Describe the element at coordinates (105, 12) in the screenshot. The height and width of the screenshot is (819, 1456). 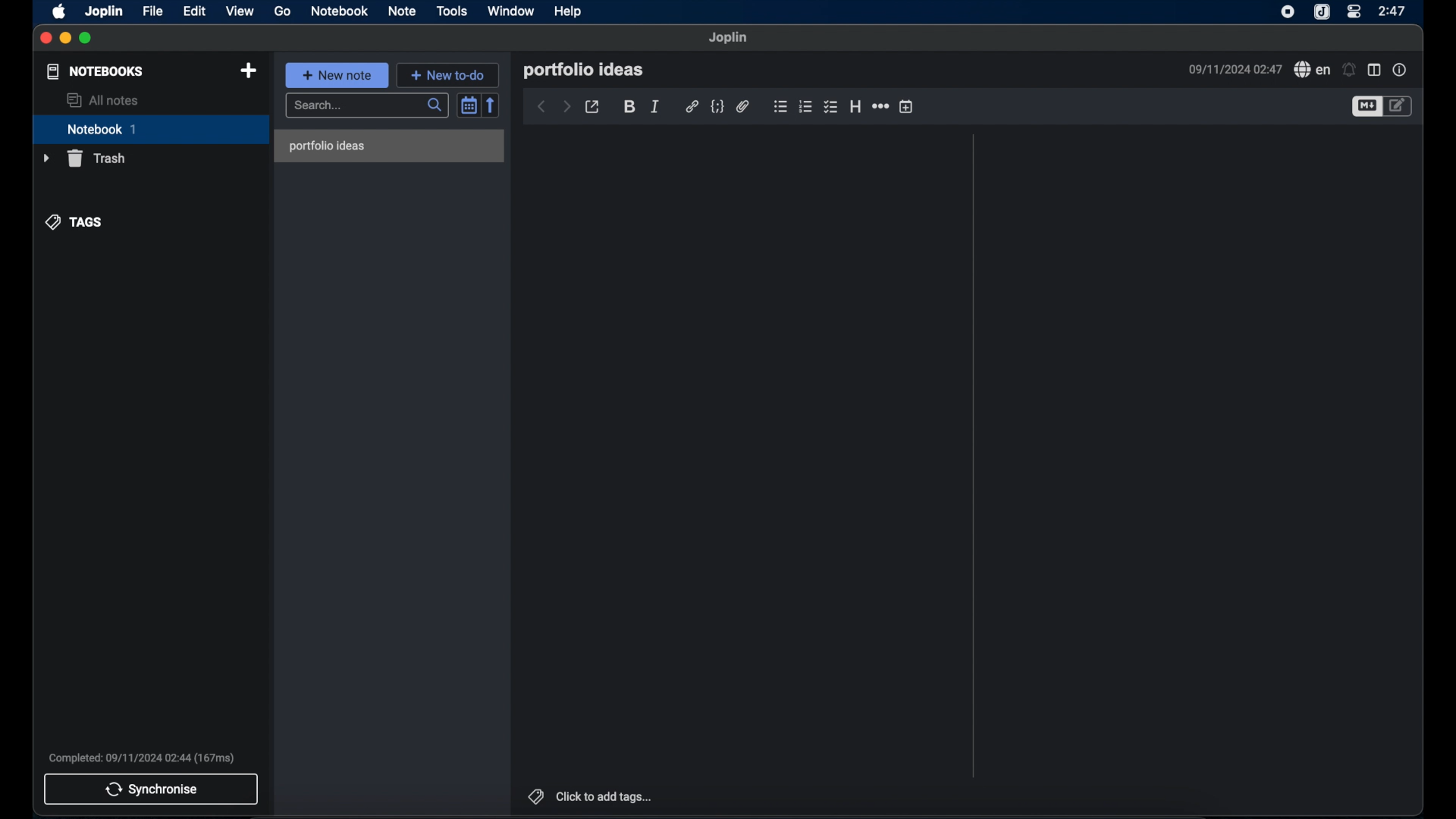
I see `joplin` at that location.